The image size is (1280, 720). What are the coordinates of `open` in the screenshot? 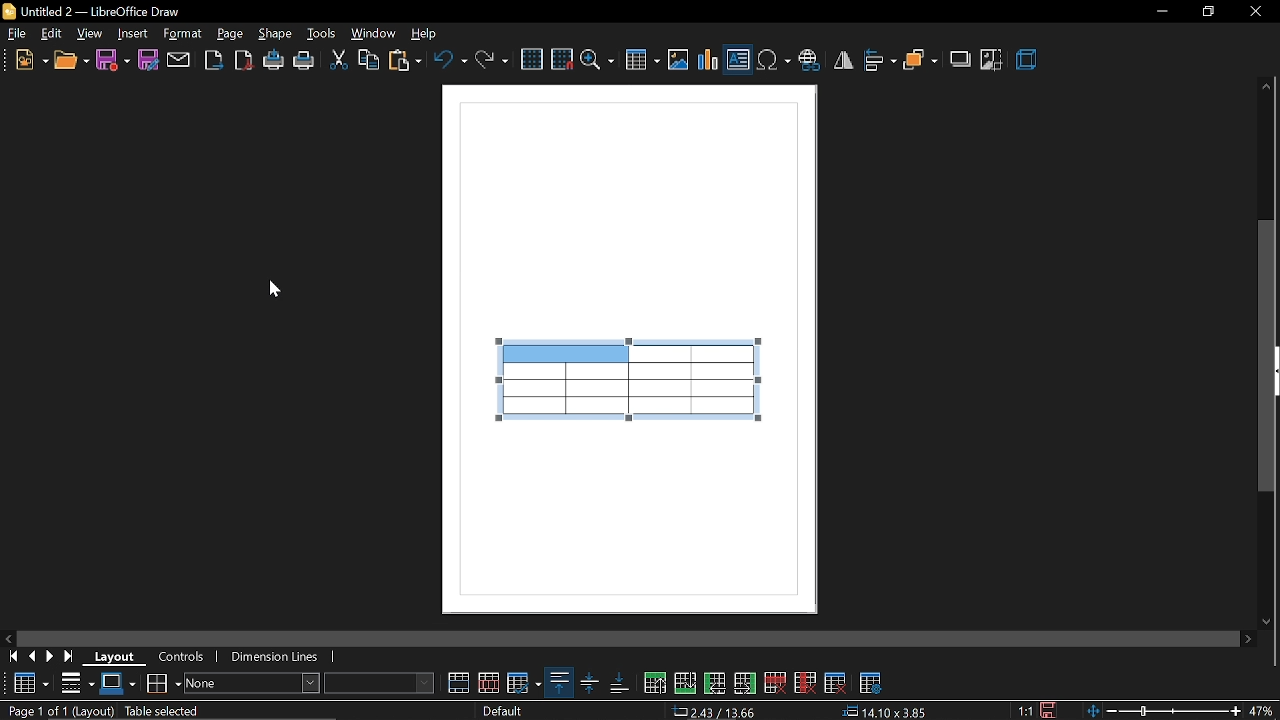 It's located at (71, 60).